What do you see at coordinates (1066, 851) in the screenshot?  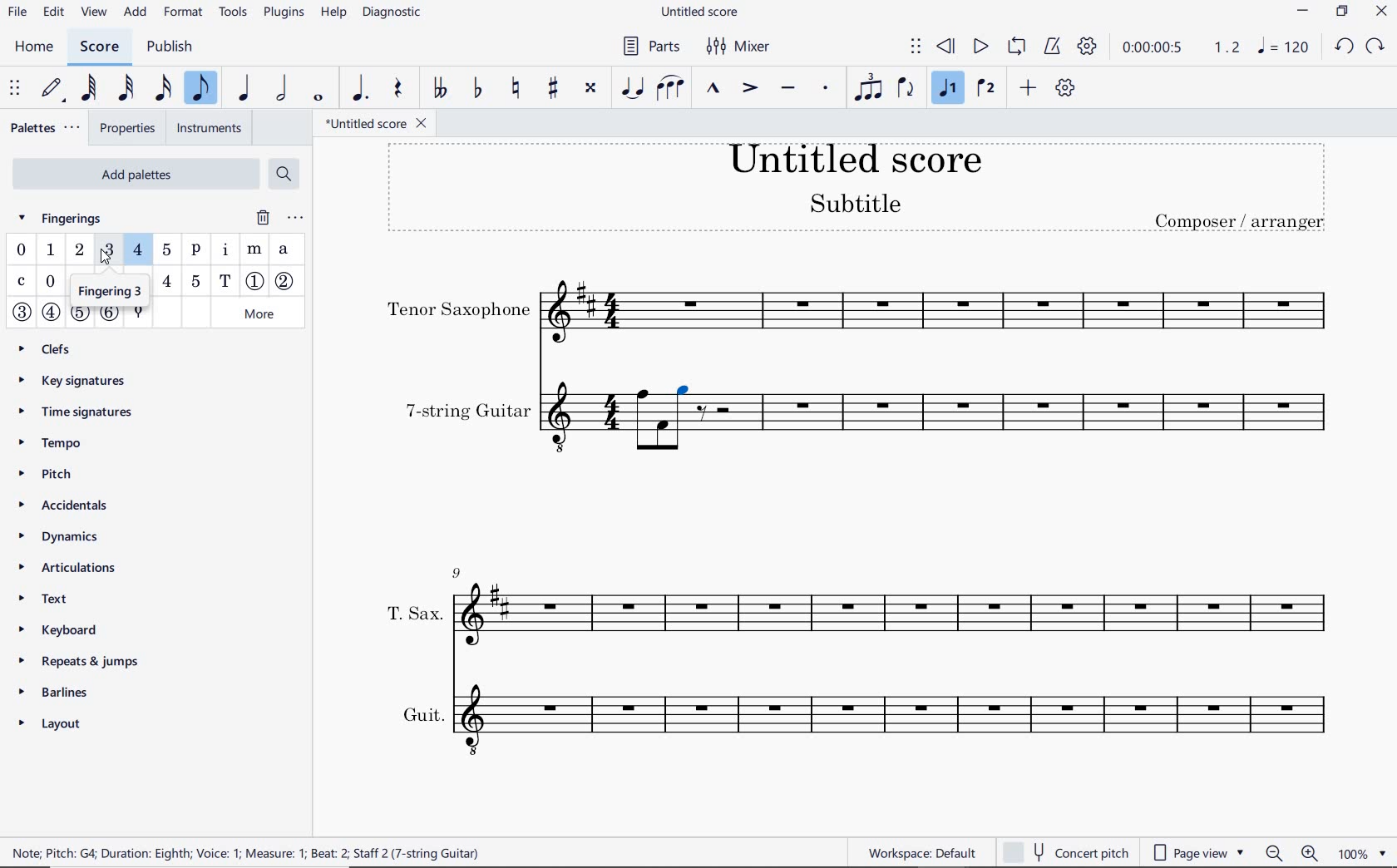 I see `concert pitch` at bounding box center [1066, 851].